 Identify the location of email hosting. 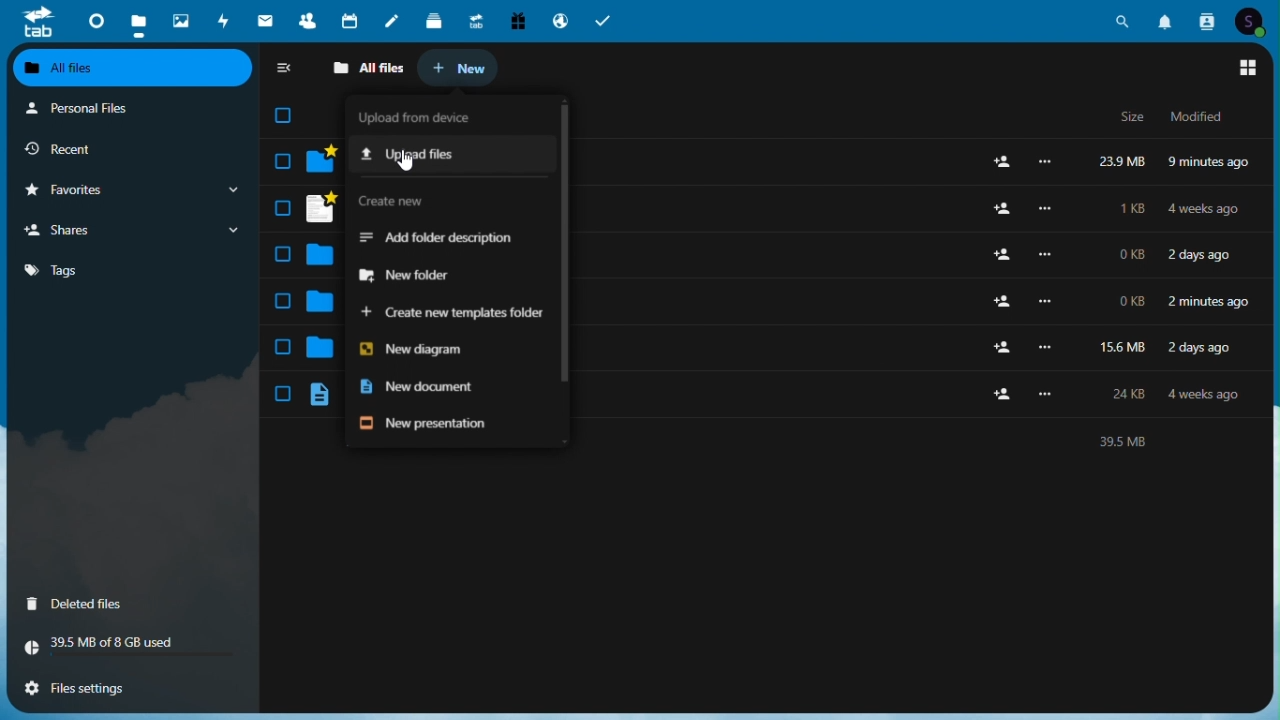
(559, 19).